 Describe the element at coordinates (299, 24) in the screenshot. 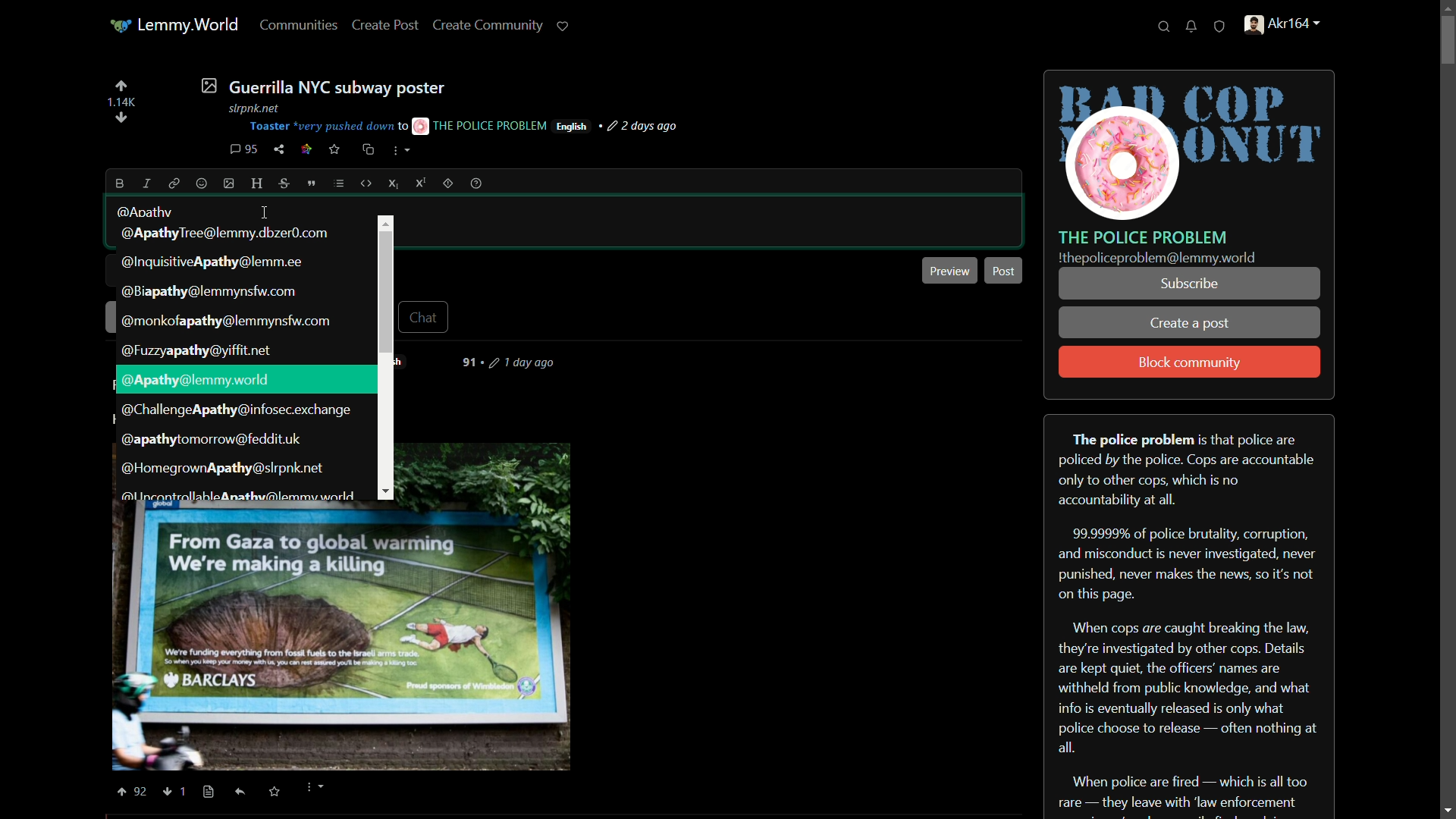

I see `communities ` at that location.